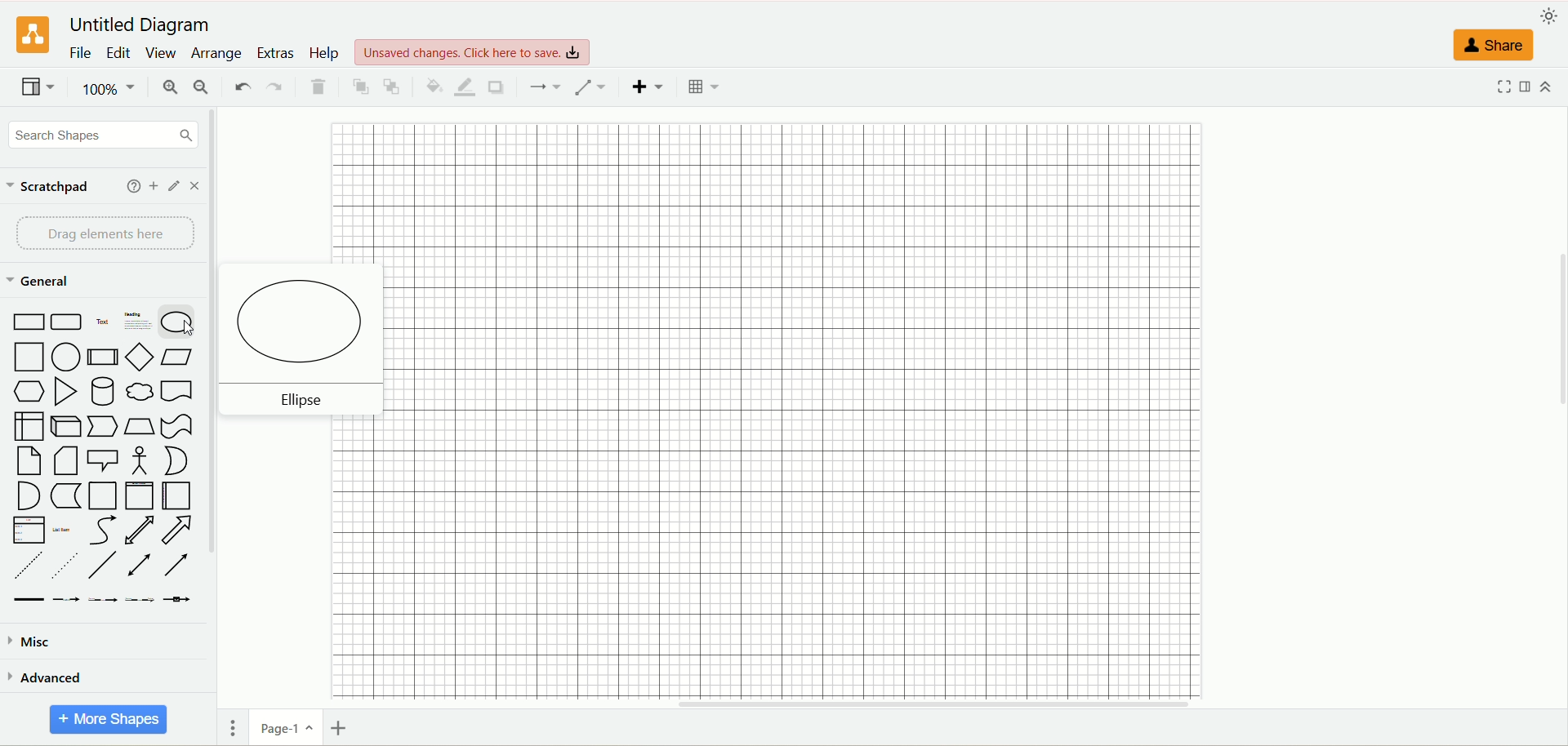 This screenshot has width=1568, height=746. I want to click on cylinder, so click(105, 392).